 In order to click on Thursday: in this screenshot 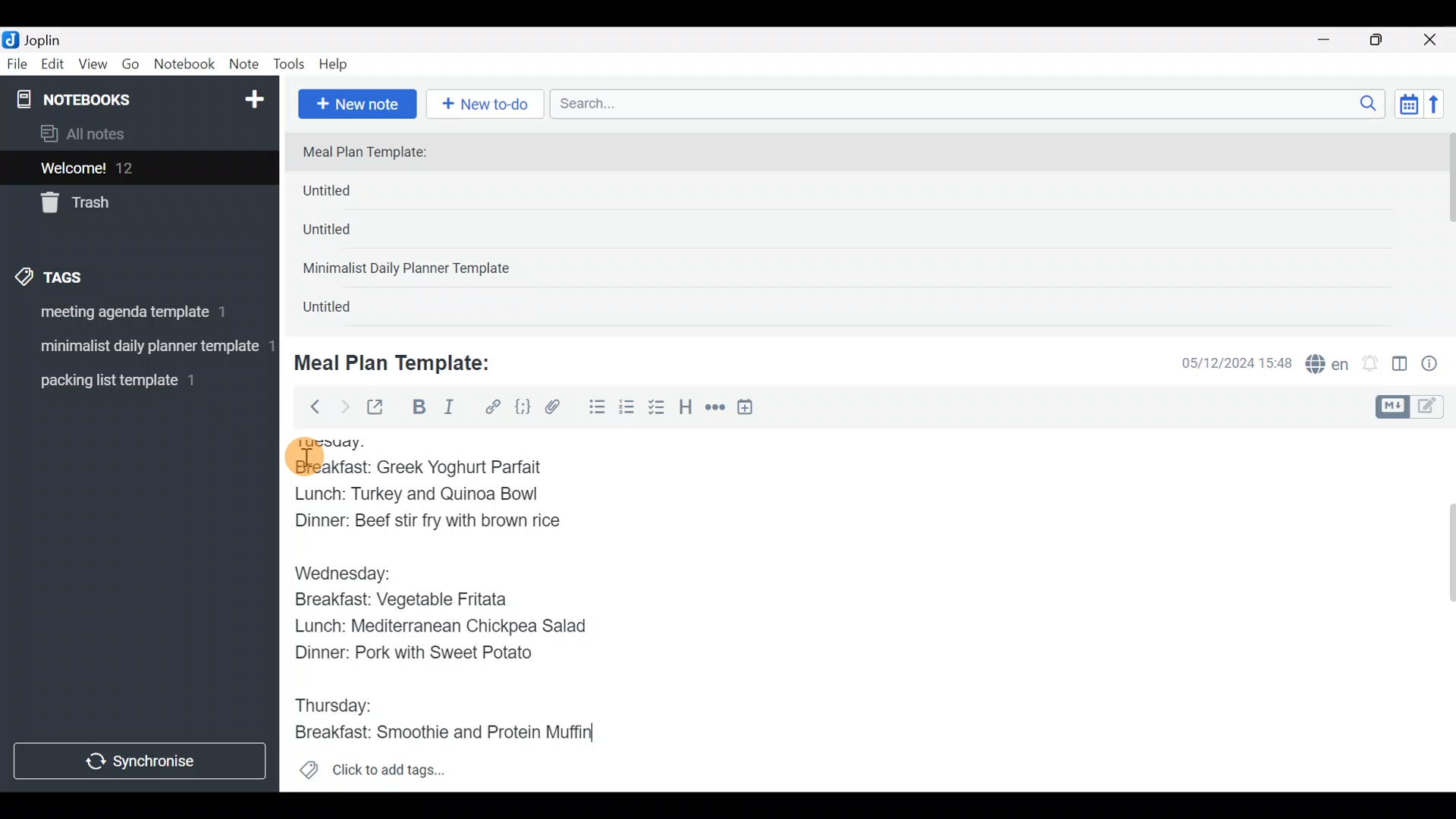, I will do `click(338, 704)`.